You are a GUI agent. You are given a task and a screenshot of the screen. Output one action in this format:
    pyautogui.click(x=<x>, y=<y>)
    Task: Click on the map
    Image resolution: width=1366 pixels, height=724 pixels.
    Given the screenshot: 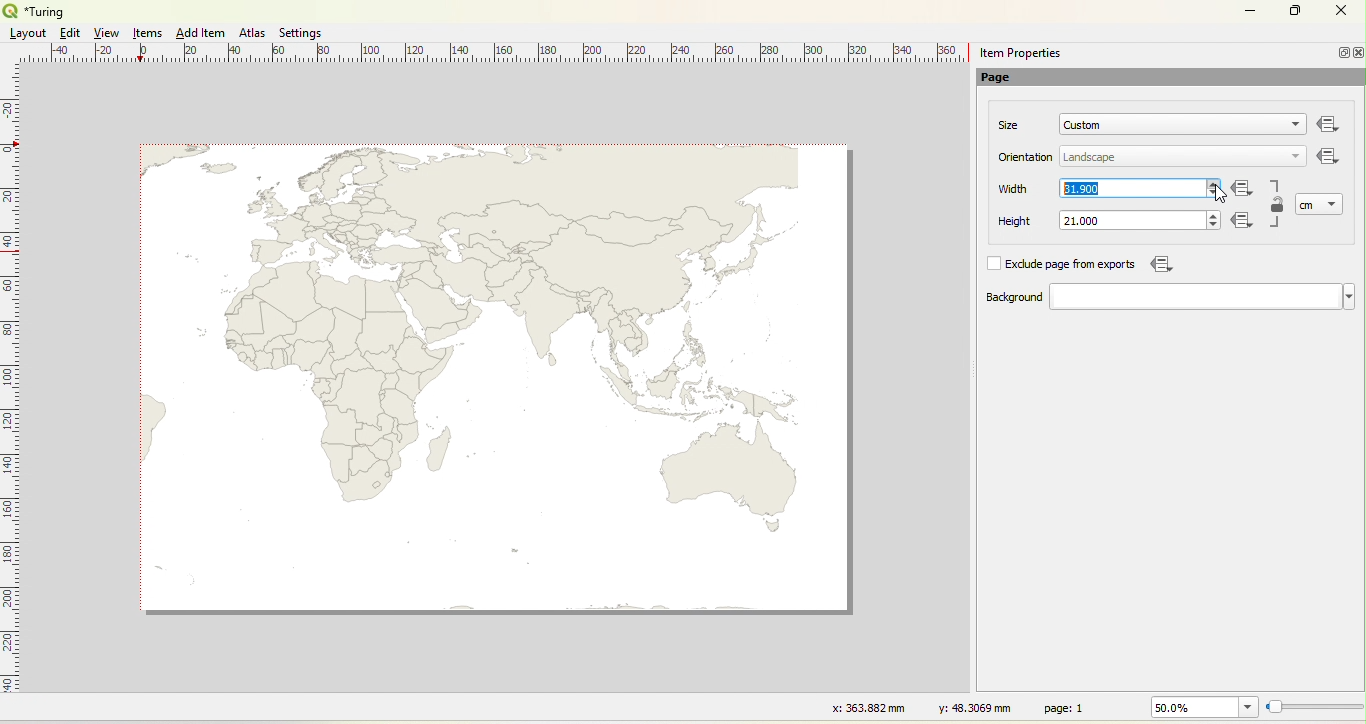 What is the action you would take?
    pyautogui.click(x=493, y=377)
    